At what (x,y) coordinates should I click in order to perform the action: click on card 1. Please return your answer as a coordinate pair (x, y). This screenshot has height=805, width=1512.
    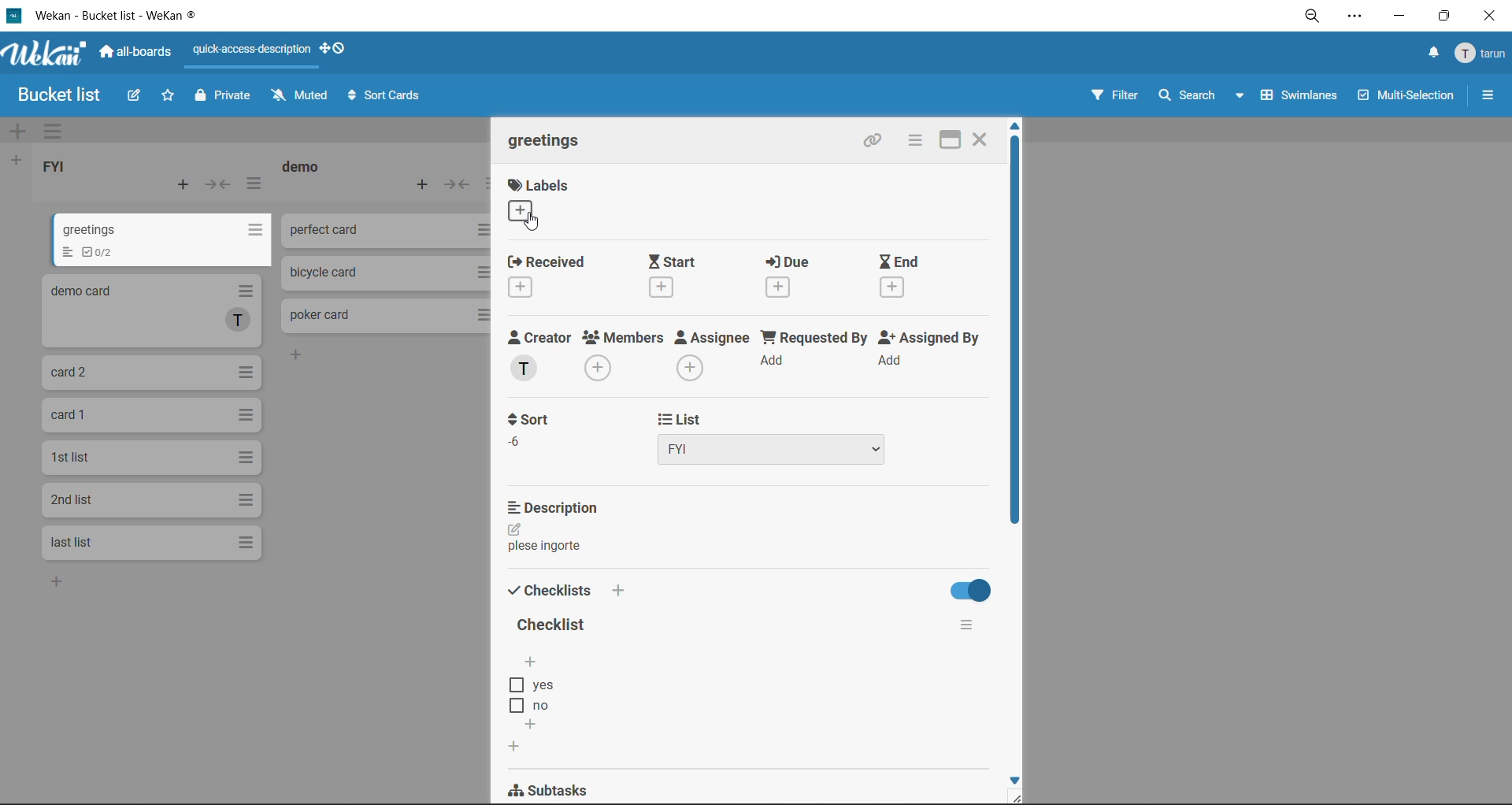
    Looking at the image, I should click on (165, 239).